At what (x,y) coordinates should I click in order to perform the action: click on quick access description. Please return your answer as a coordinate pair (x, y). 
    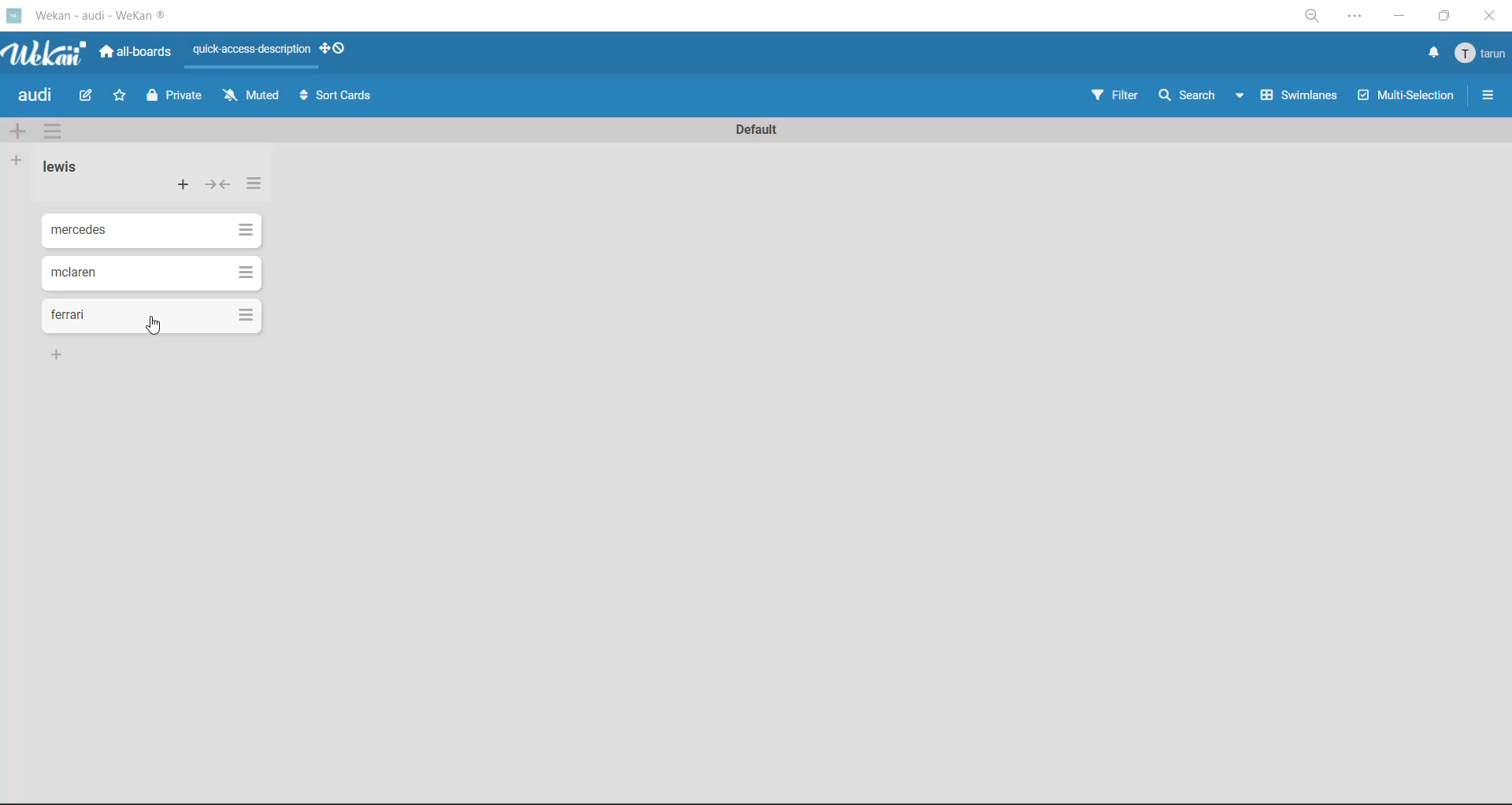
    Looking at the image, I should click on (249, 55).